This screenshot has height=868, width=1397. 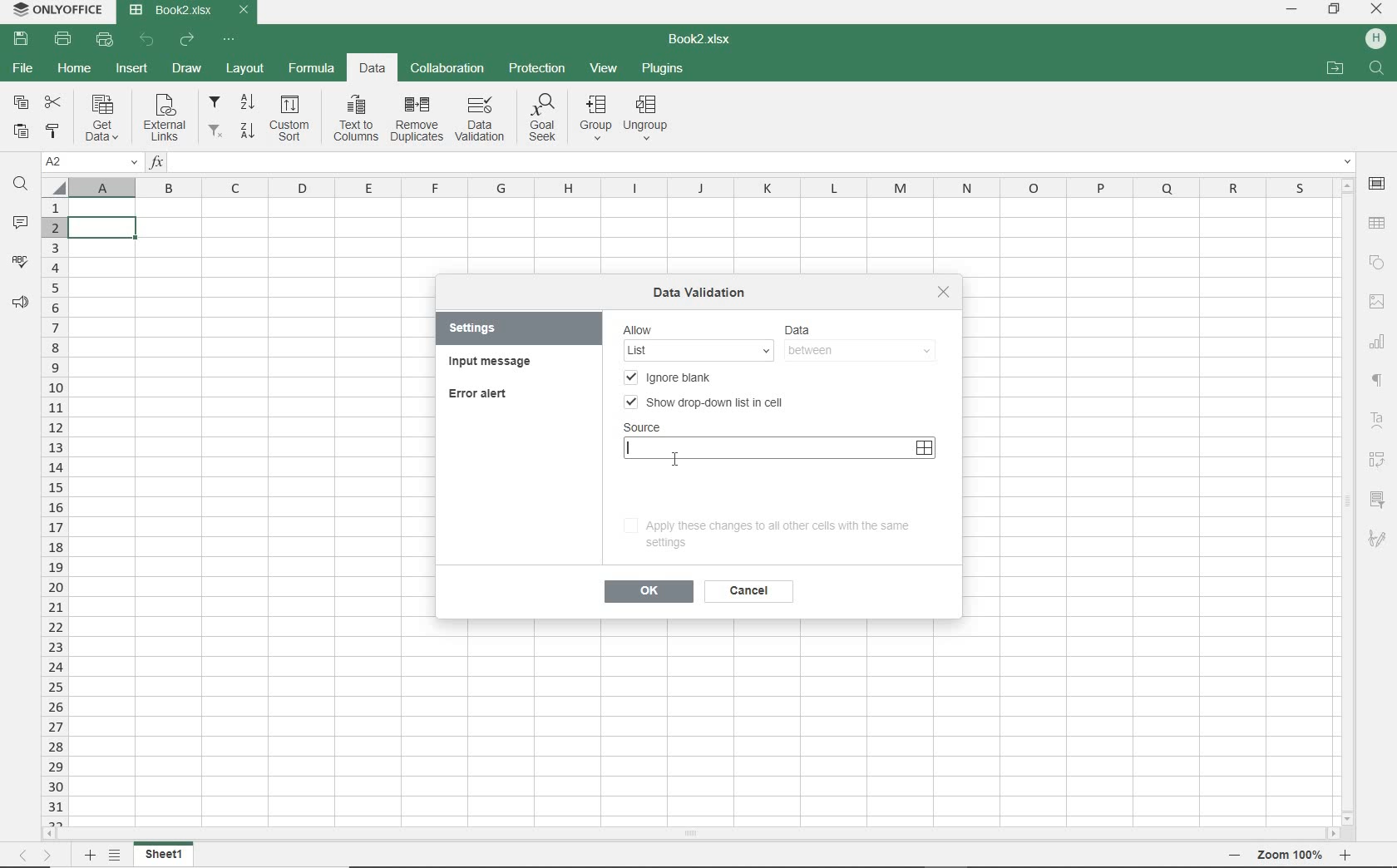 What do you see at coordinates (24, 131) in the screenshot?
I see `PASTE` at bounding box center [24, 131].